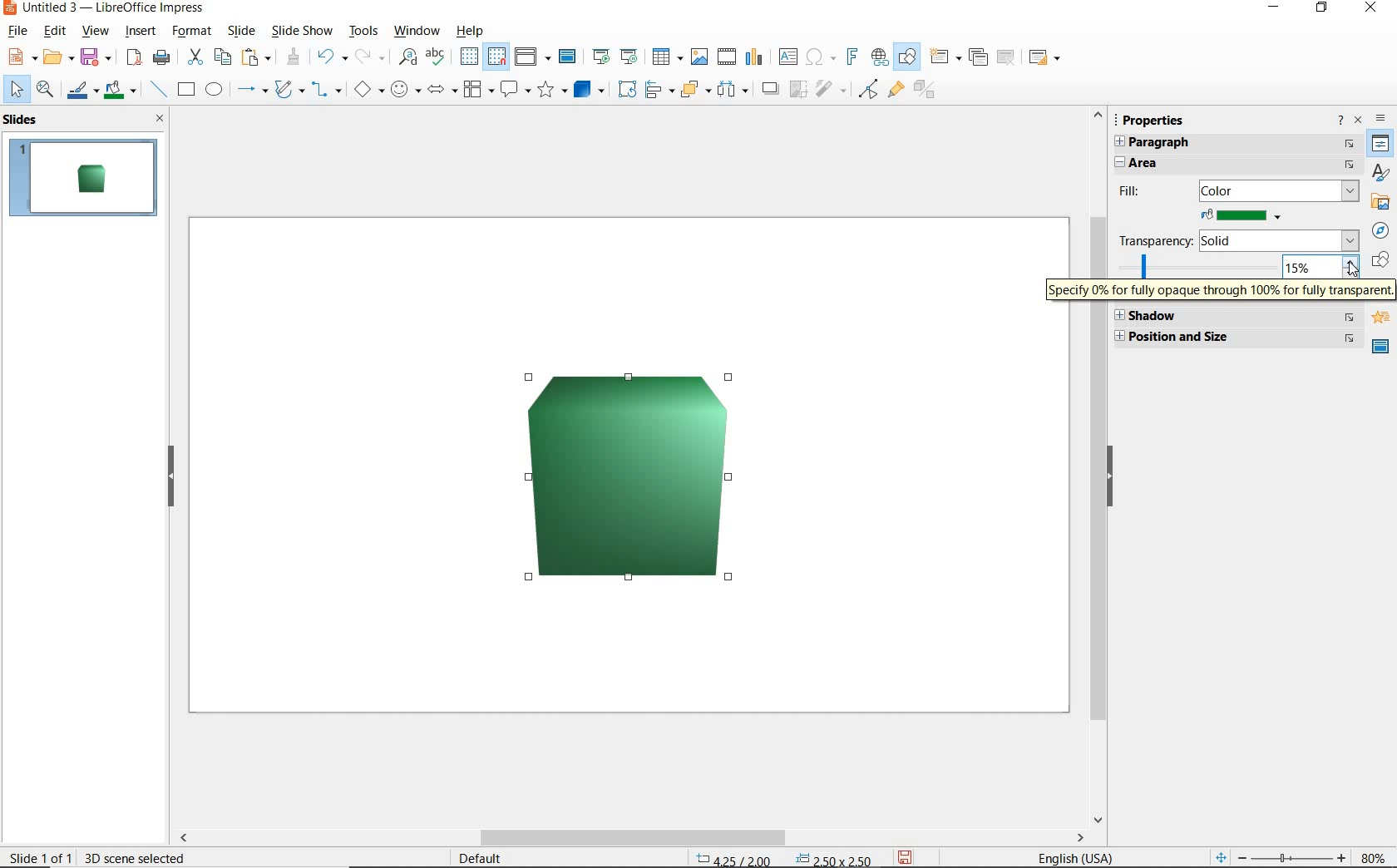  What do you see at coordinates (42, 855) in the screenshot?
I see `SLIDE 1 OF 1` at bounding box center [42, 855].